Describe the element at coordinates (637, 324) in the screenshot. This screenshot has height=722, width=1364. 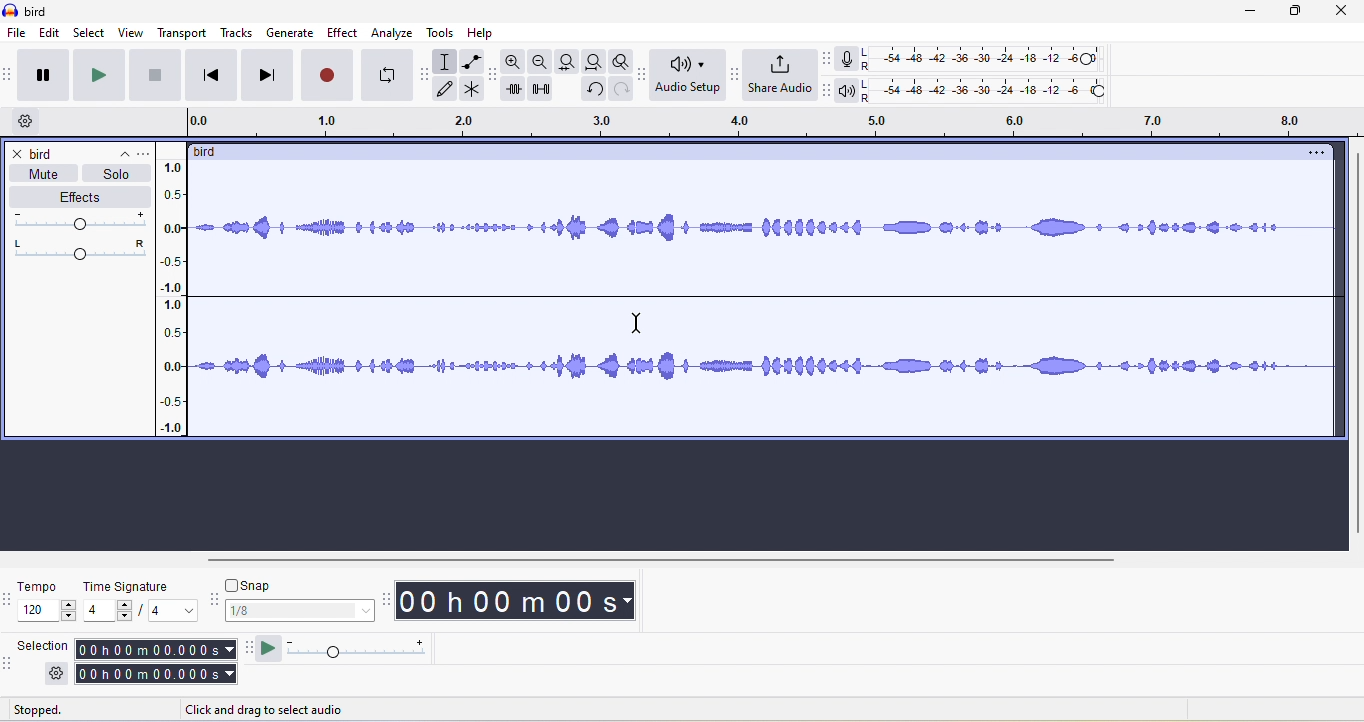
I see `cursor` at that location.